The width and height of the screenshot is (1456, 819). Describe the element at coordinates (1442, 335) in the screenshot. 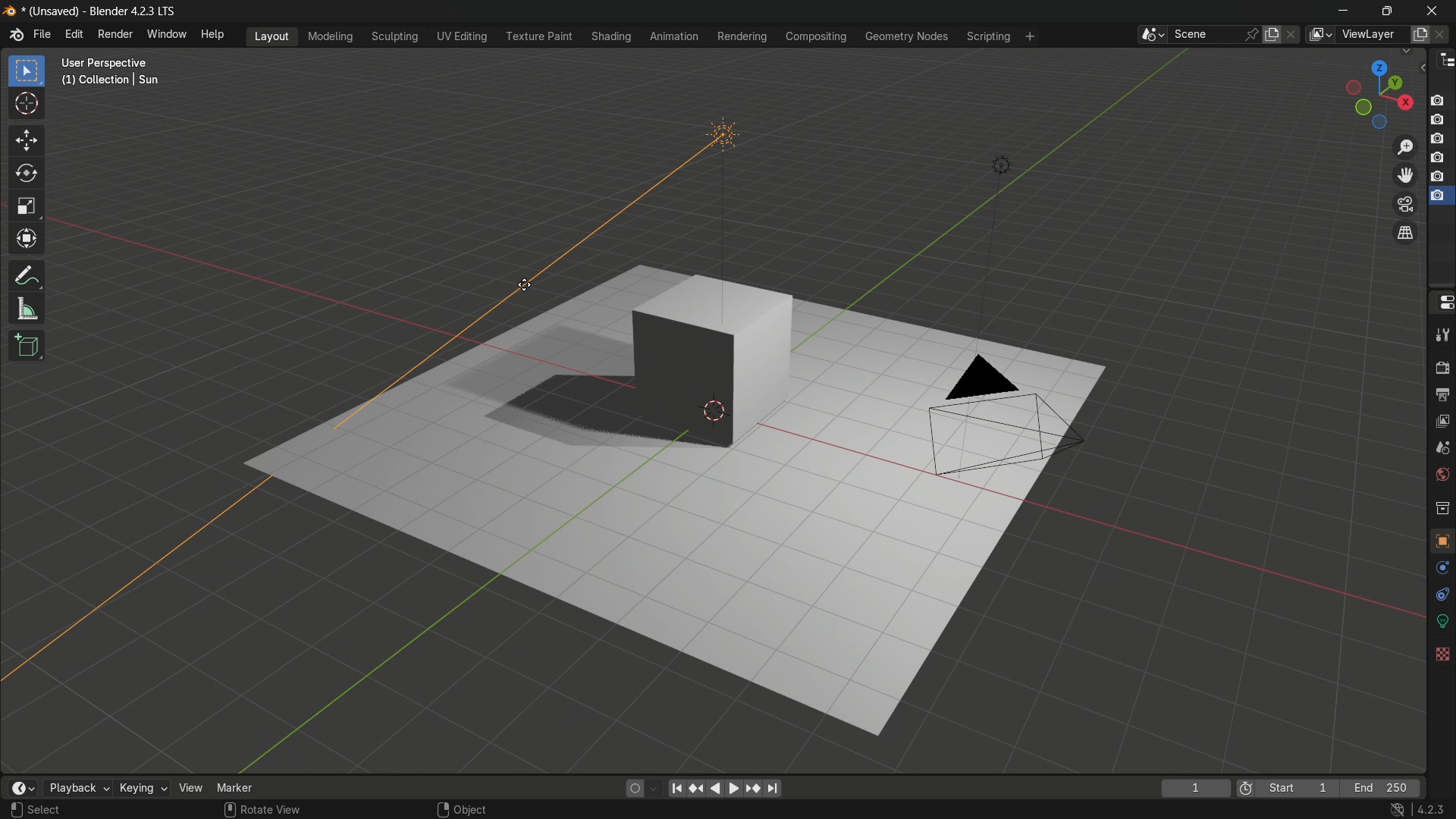

I see `tools` at that location.